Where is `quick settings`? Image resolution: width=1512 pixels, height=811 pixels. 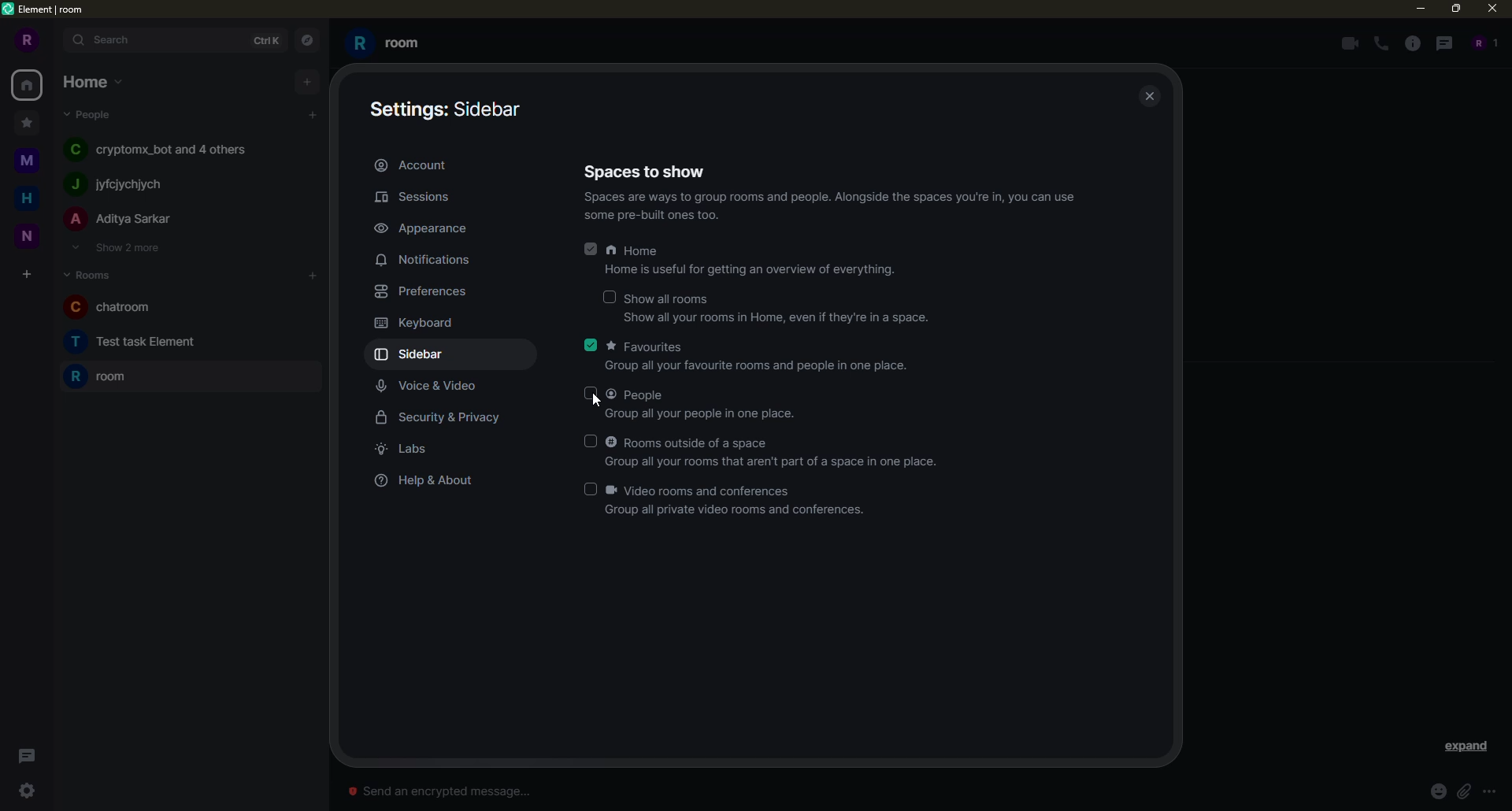
quick settings is located at coordinates (29, 791).